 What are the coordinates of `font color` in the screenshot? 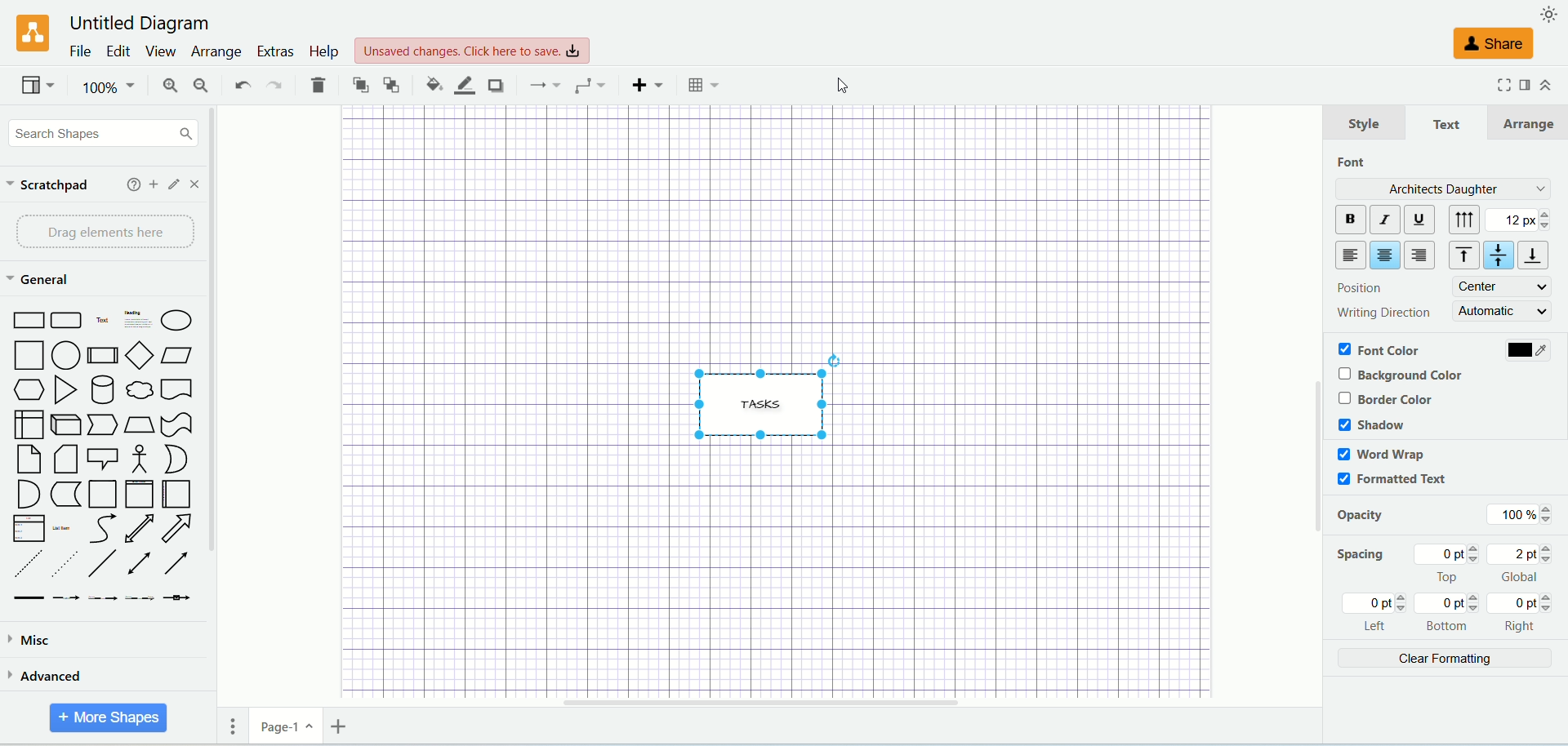 It's located at (1380, 349).